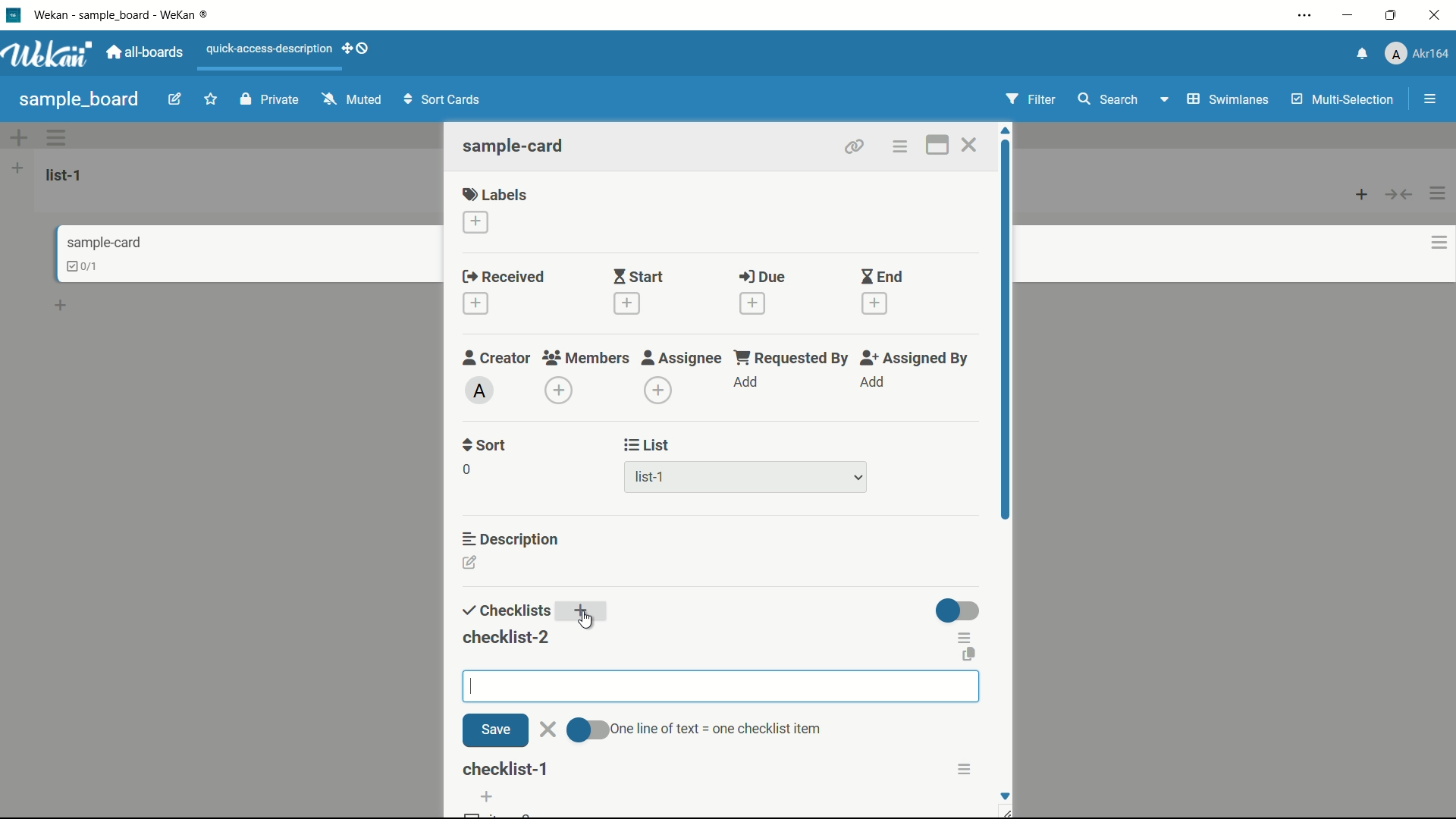 This screenshot has height=819, width=1456. I want to click on checklist, so click(504, 611).